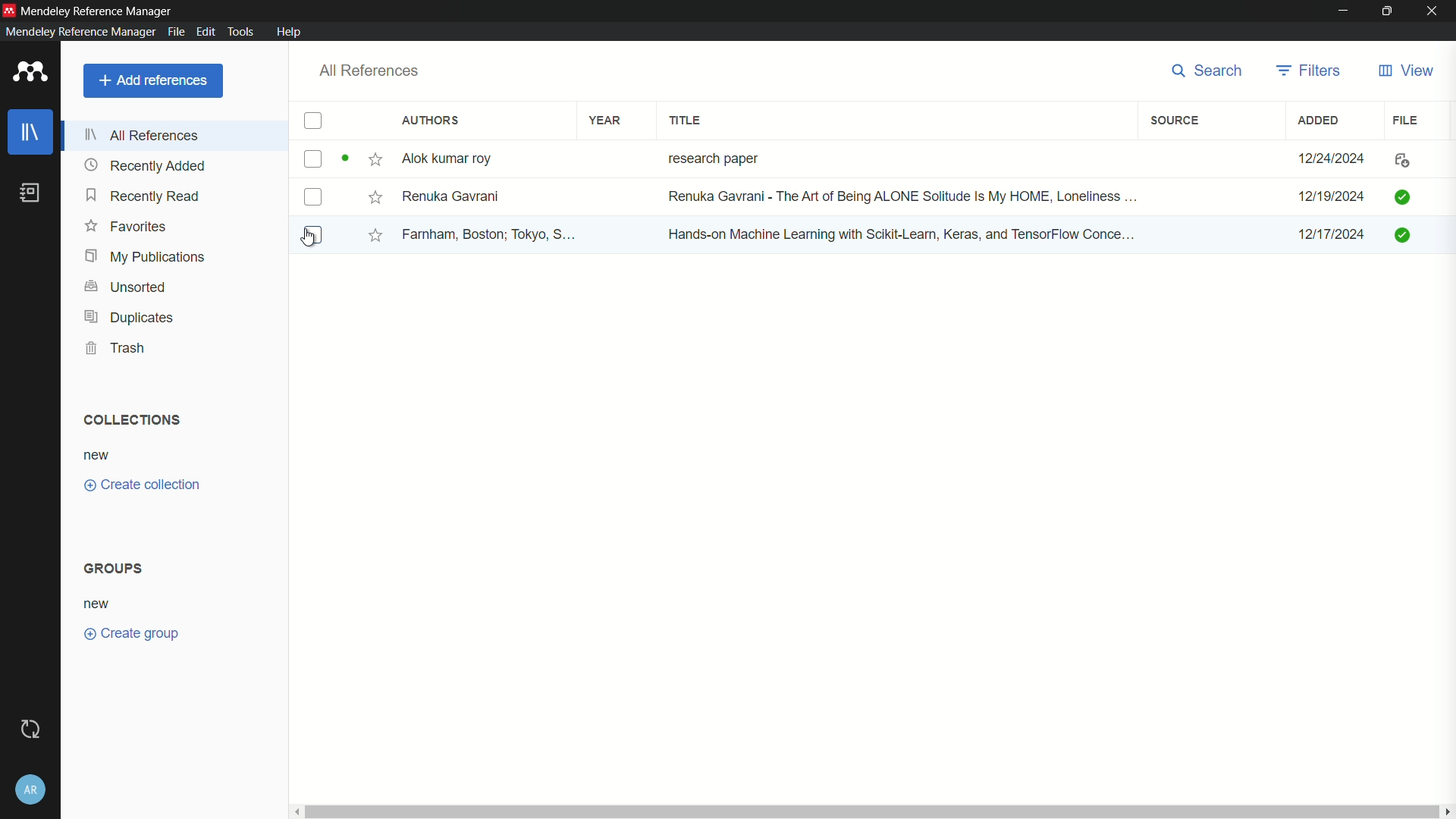 This screenshot has width=1456, height=819. What do you see at coordinates (30, 792) in the screenshot?
I see `account and help` at bounding box center [30, 792].